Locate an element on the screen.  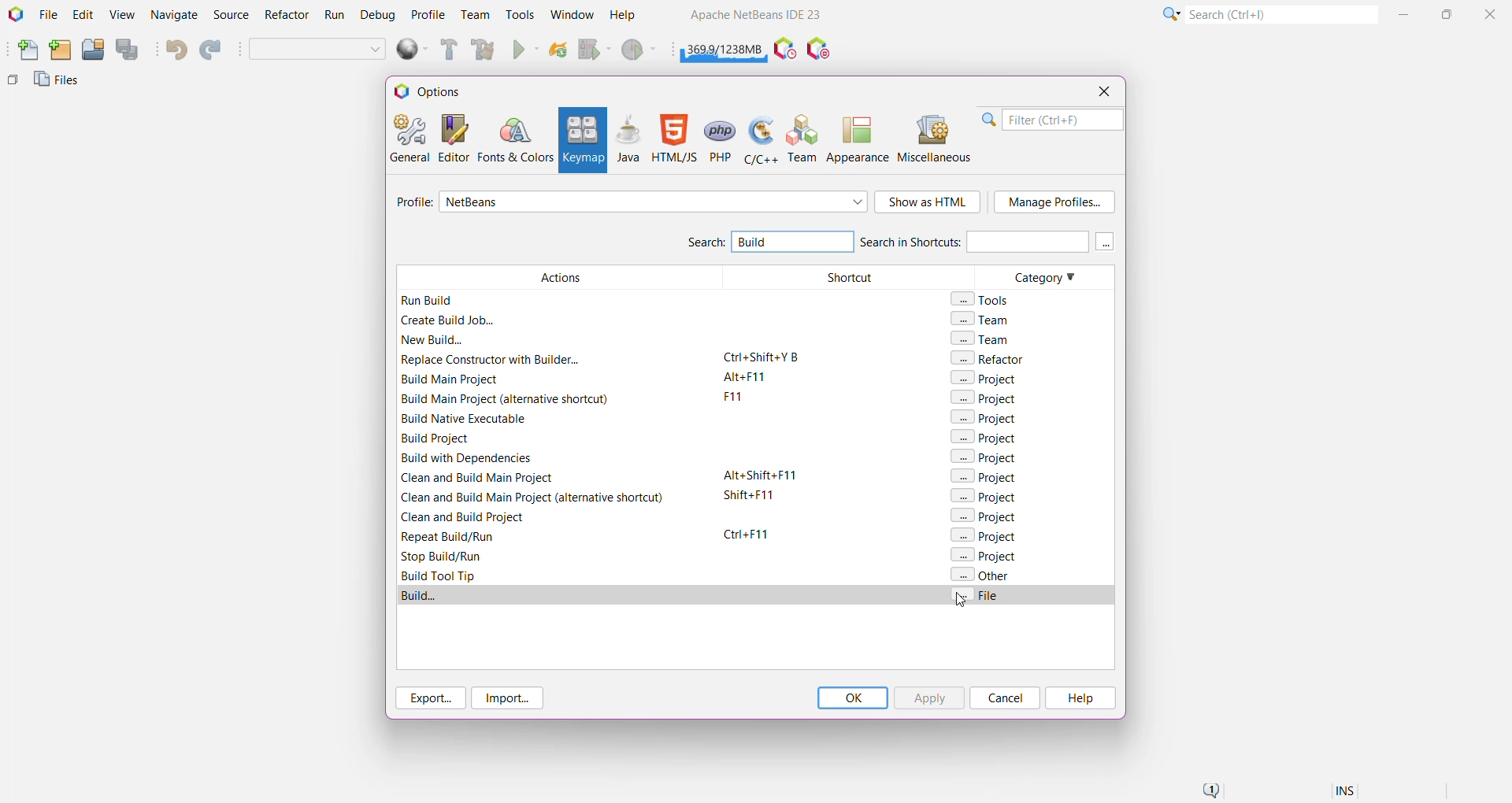
Close is located at coordinates (1492, 13).